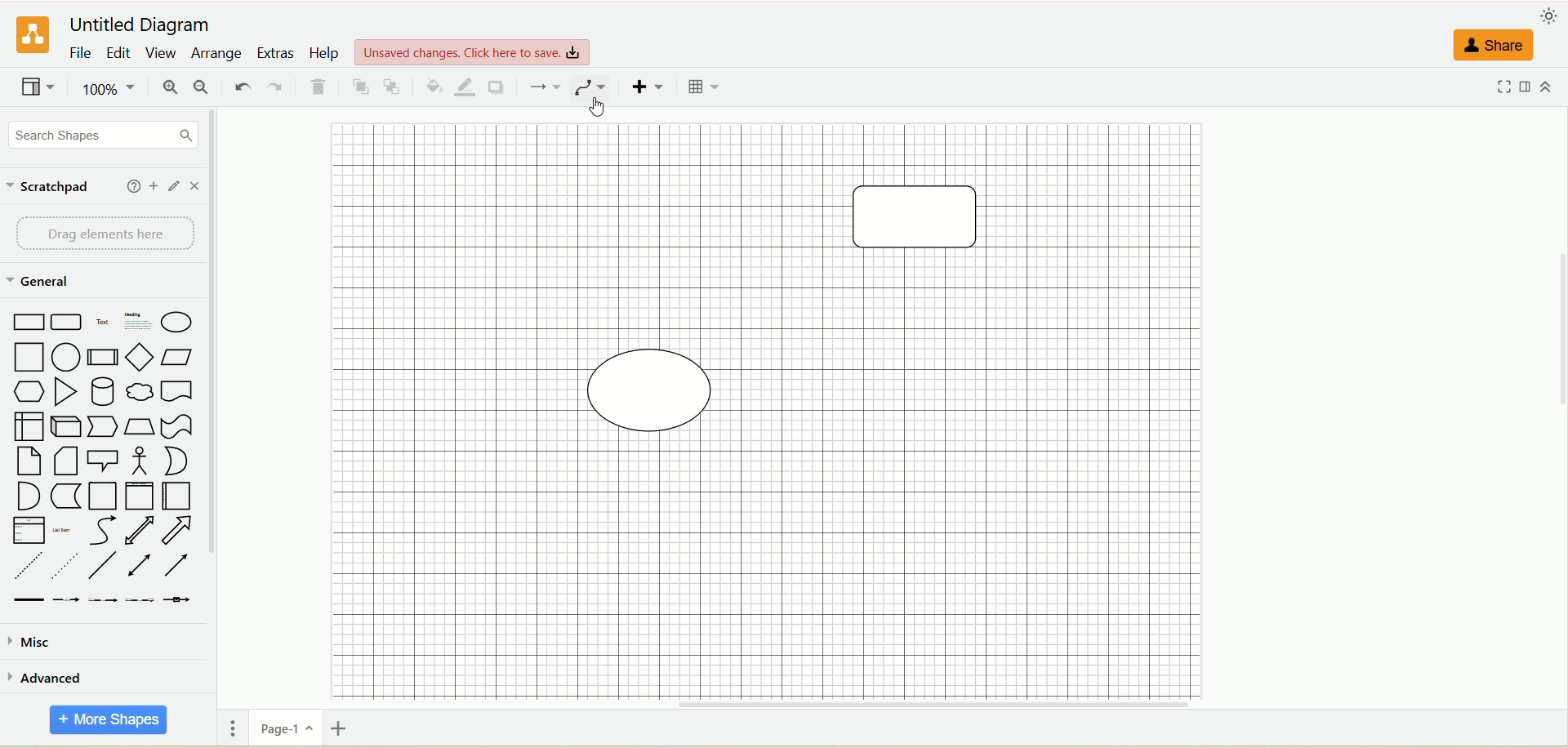 The width and height of the screenshot is (1568, 748). What do you see at coordinates (468, 86) in the screenshot?
I see `line color` at bounding box center [468, 86].